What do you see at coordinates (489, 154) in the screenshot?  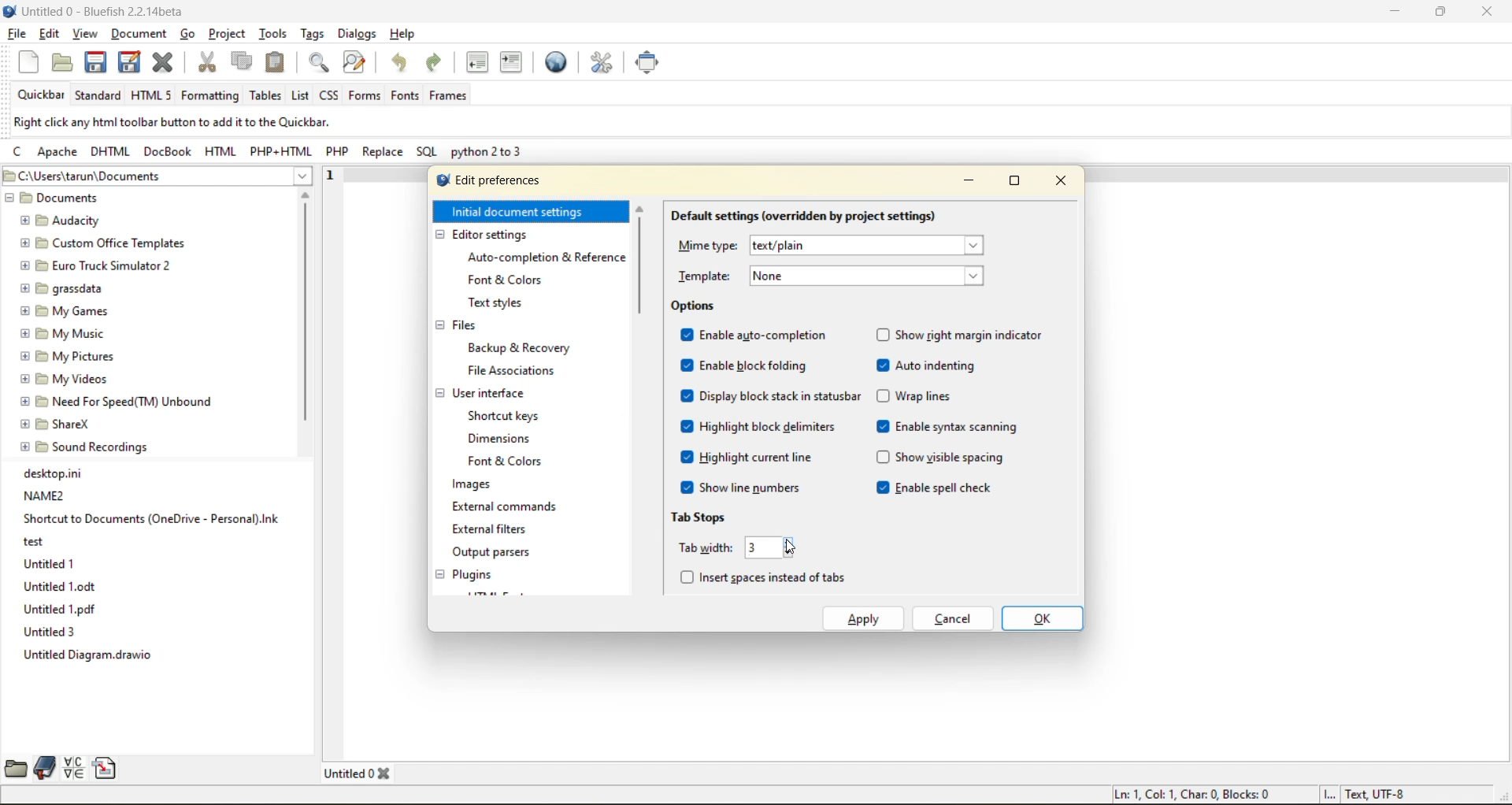 I see `python 2 to 3` at bounding box center [489, 154].